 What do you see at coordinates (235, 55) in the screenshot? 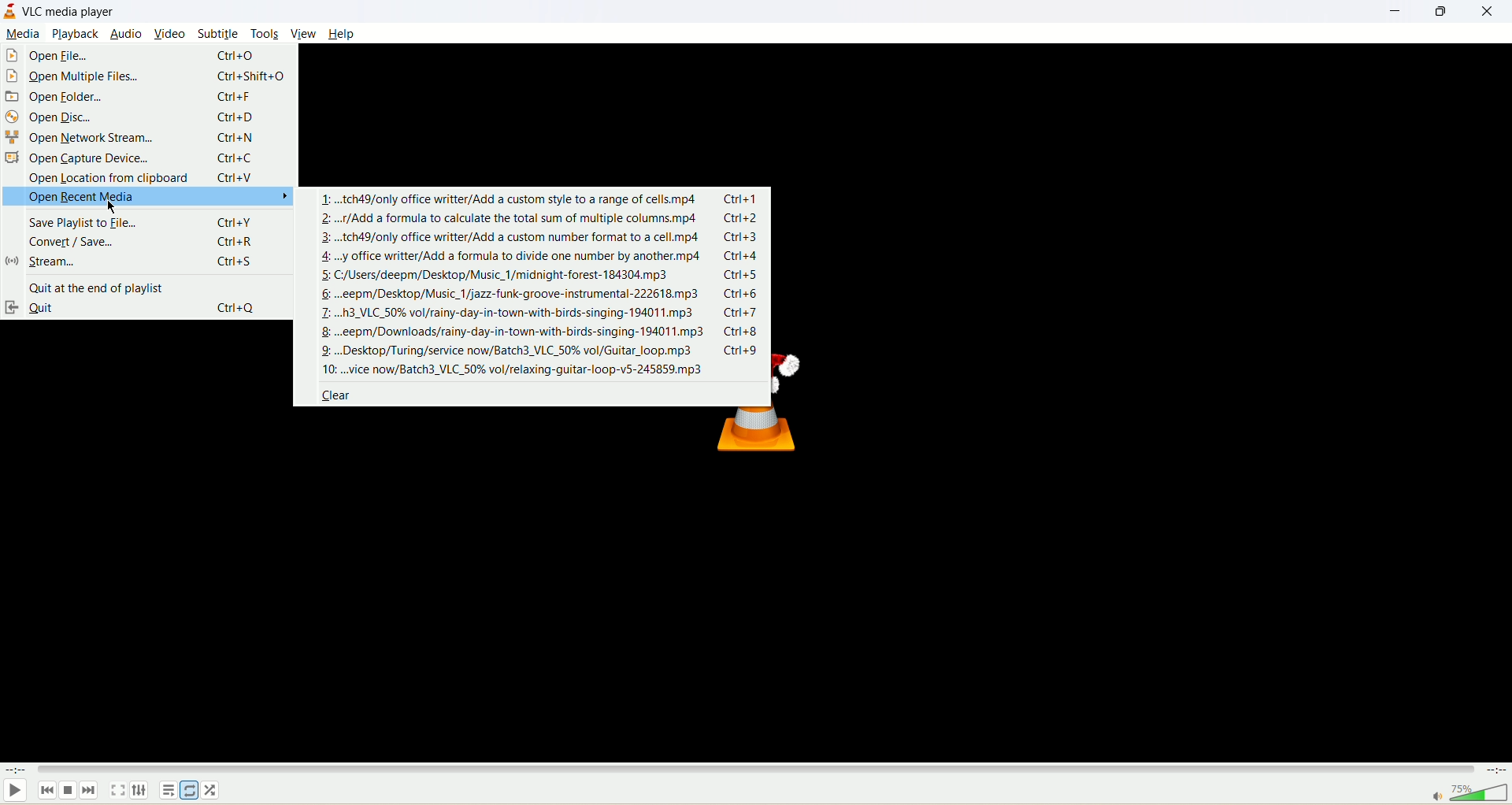
I see `ctrl+O` at bounding box center [235, 55].